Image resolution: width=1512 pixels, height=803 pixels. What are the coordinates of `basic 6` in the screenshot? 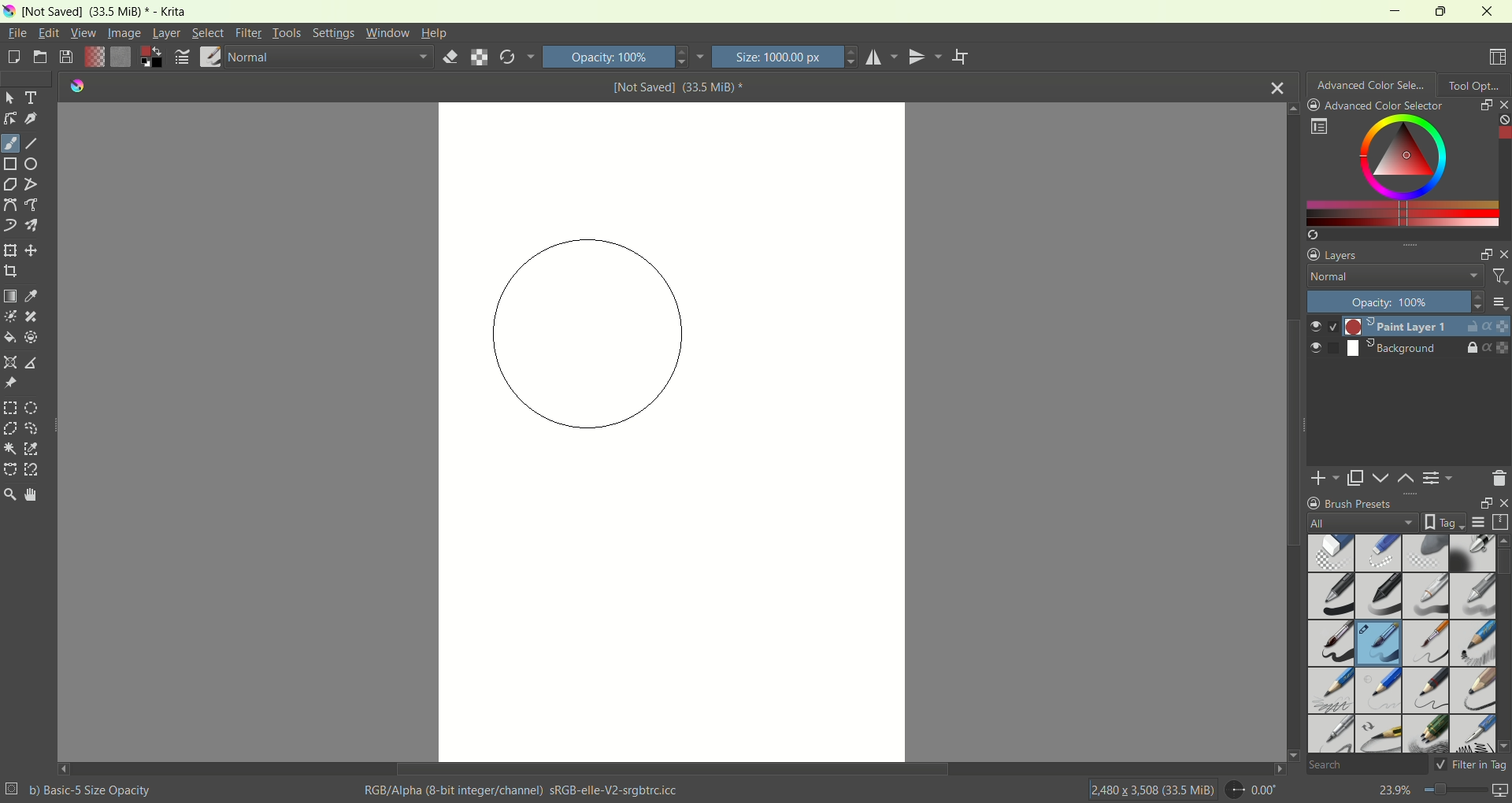 It's located at (1425, 645).